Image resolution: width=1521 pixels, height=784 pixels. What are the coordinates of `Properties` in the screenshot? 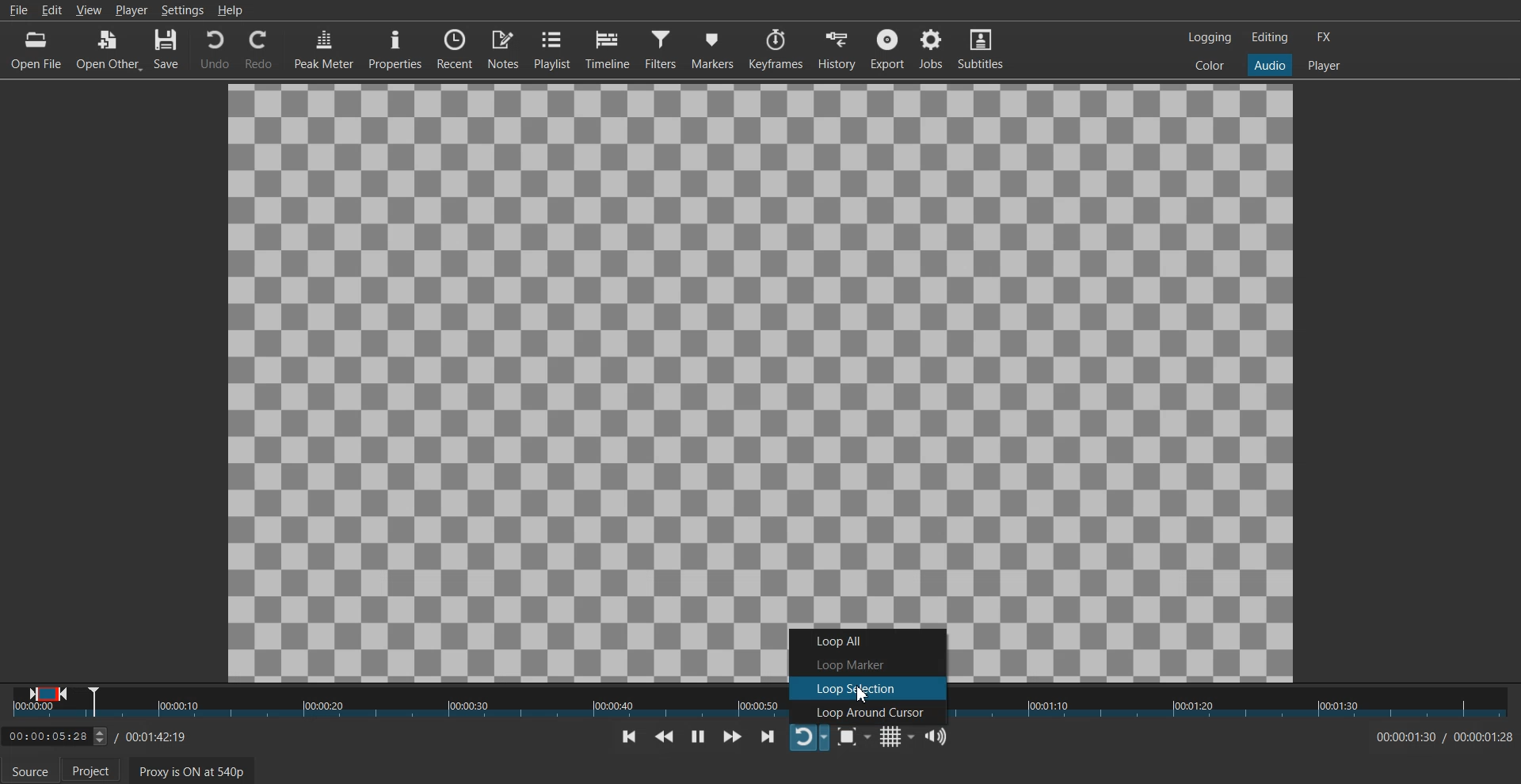 It's located at (394, 48).